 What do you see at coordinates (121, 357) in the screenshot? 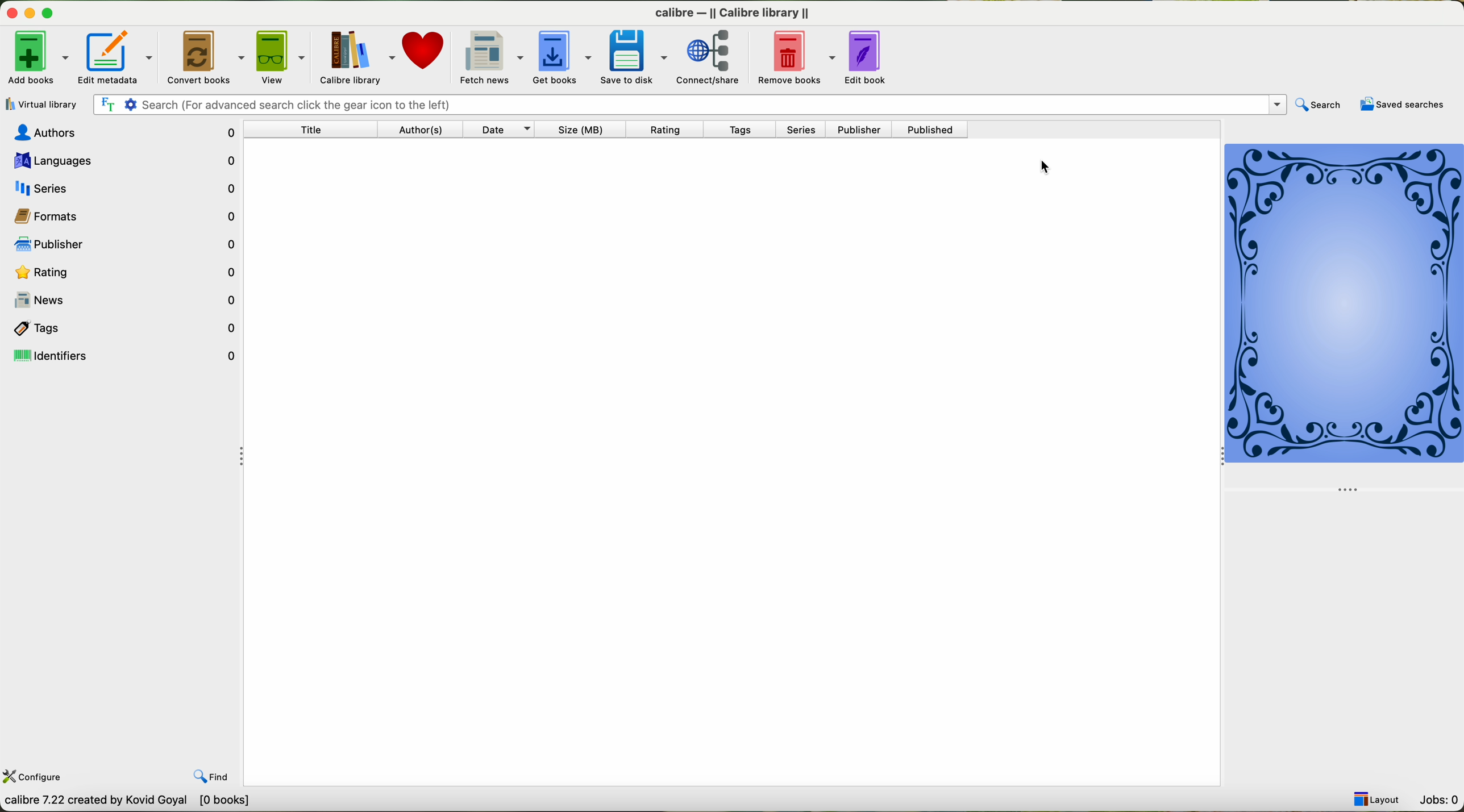
I see `identifiers` at bounding box center [121, 357].